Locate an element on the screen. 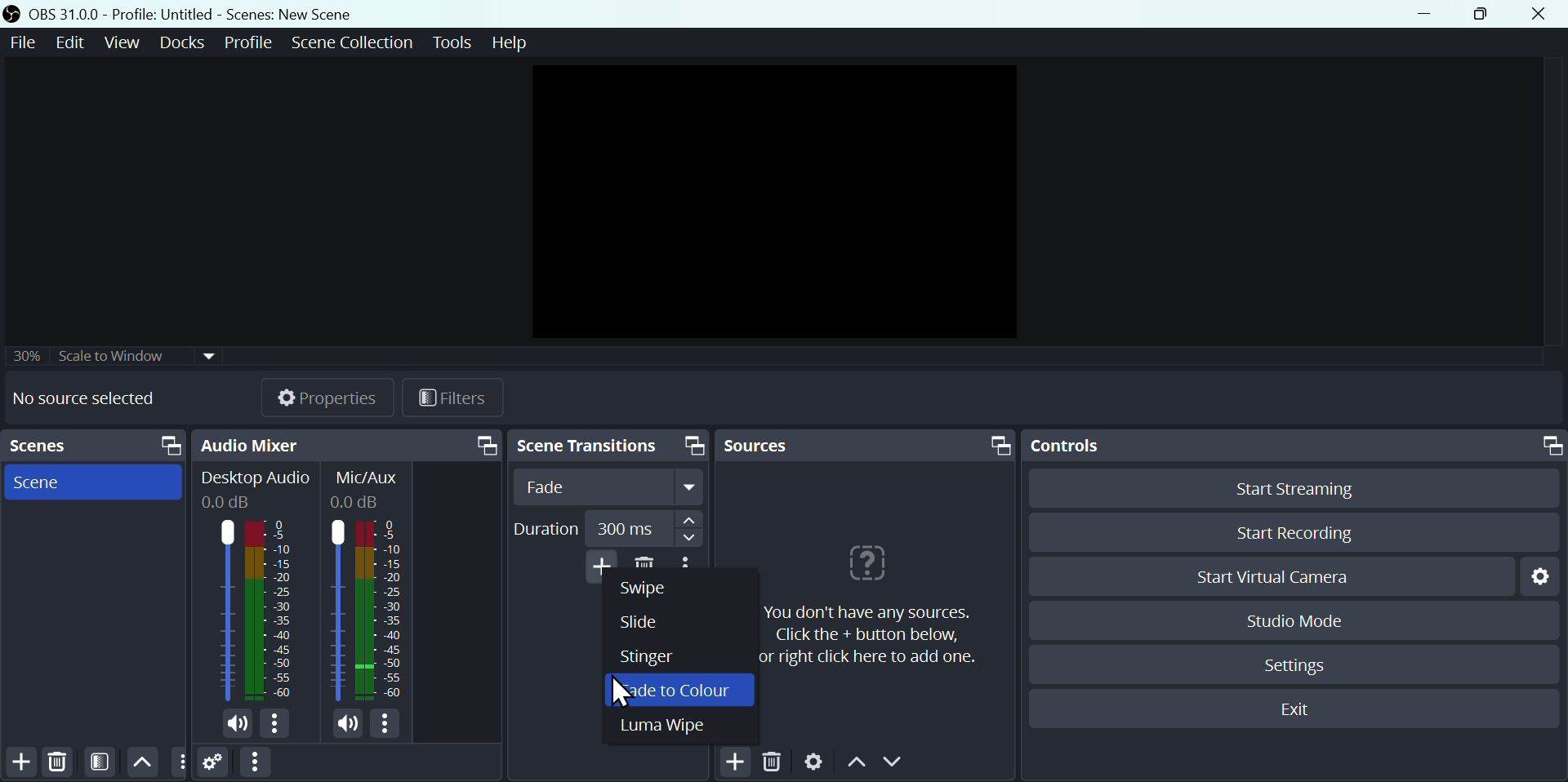  30MS is located at coordinates (626, 525).